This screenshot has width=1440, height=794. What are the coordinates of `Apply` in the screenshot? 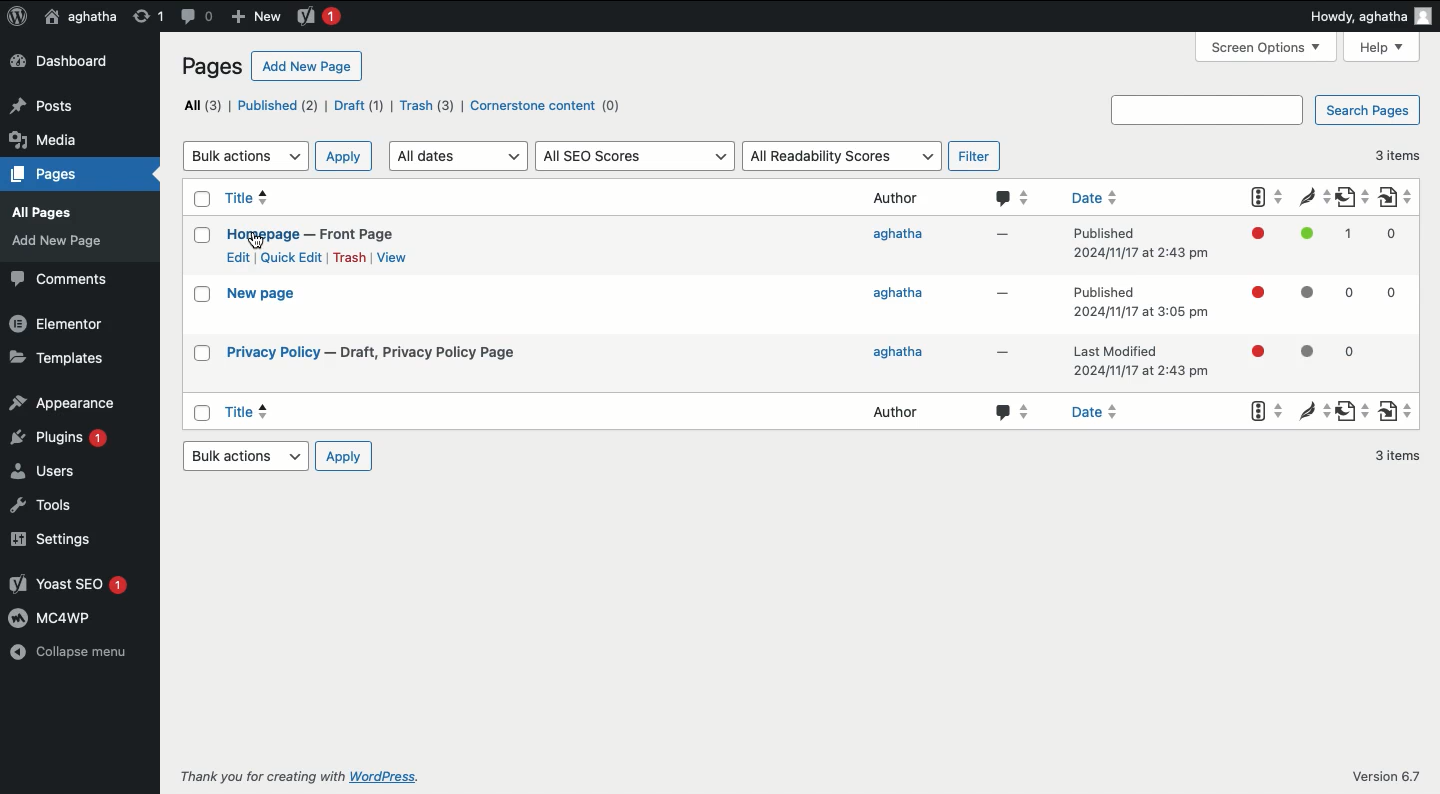 It's located at (343, 457).